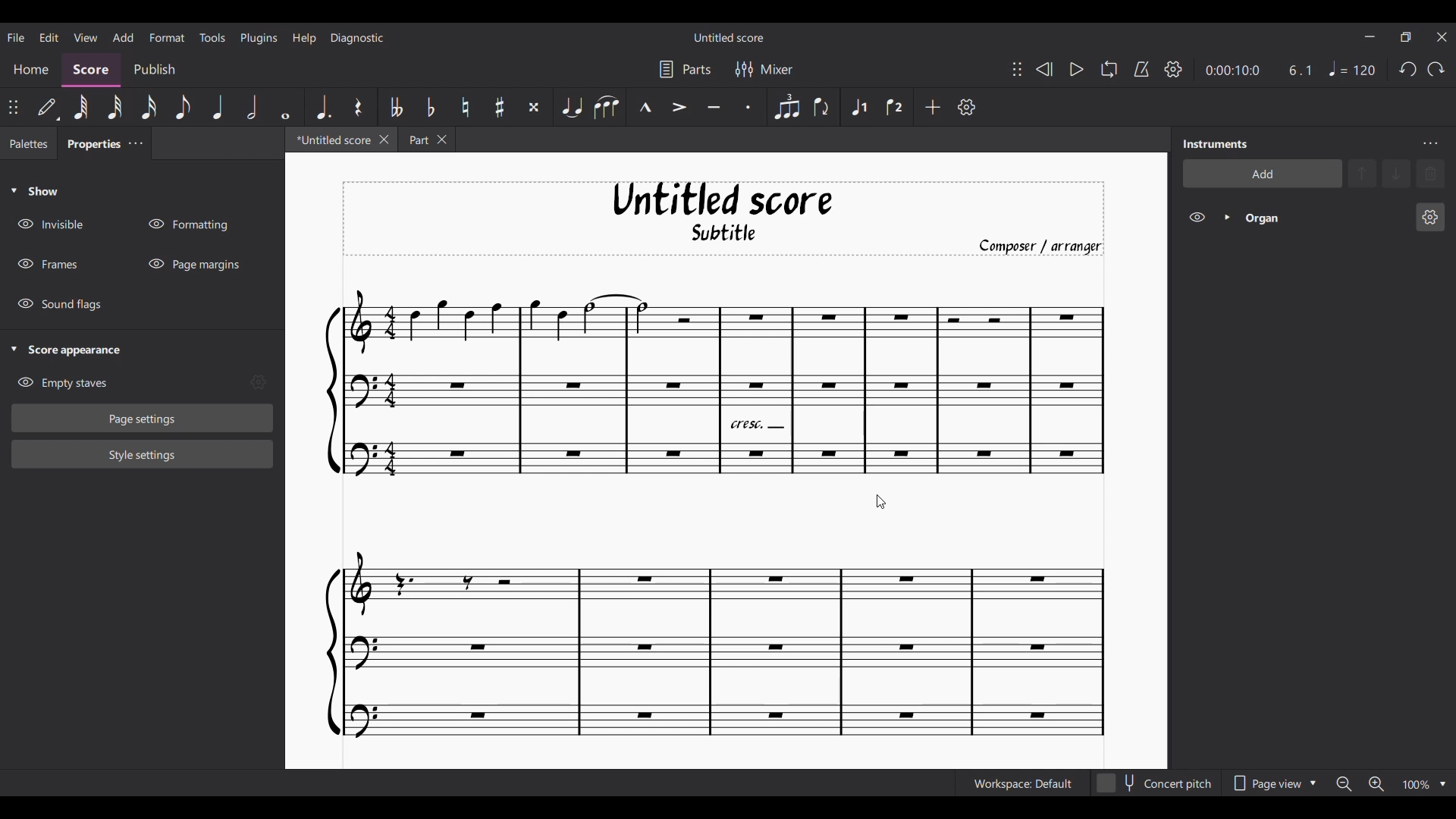 The image size is (1456, 819). Describe the element at coordinates (1324, 218) in the screenshot. I see `Current instrument` at that location.